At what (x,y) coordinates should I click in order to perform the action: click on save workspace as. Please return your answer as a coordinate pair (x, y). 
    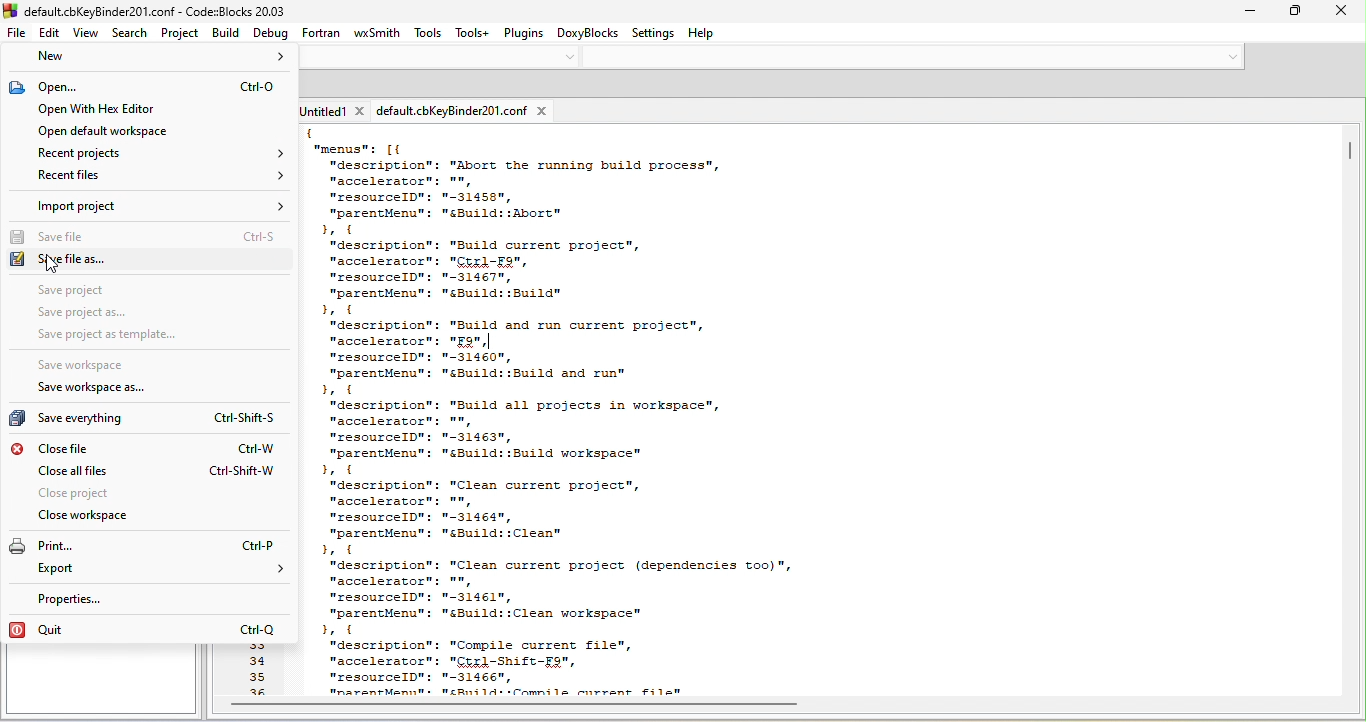
    Looking at the image, I should click on (96, 391).